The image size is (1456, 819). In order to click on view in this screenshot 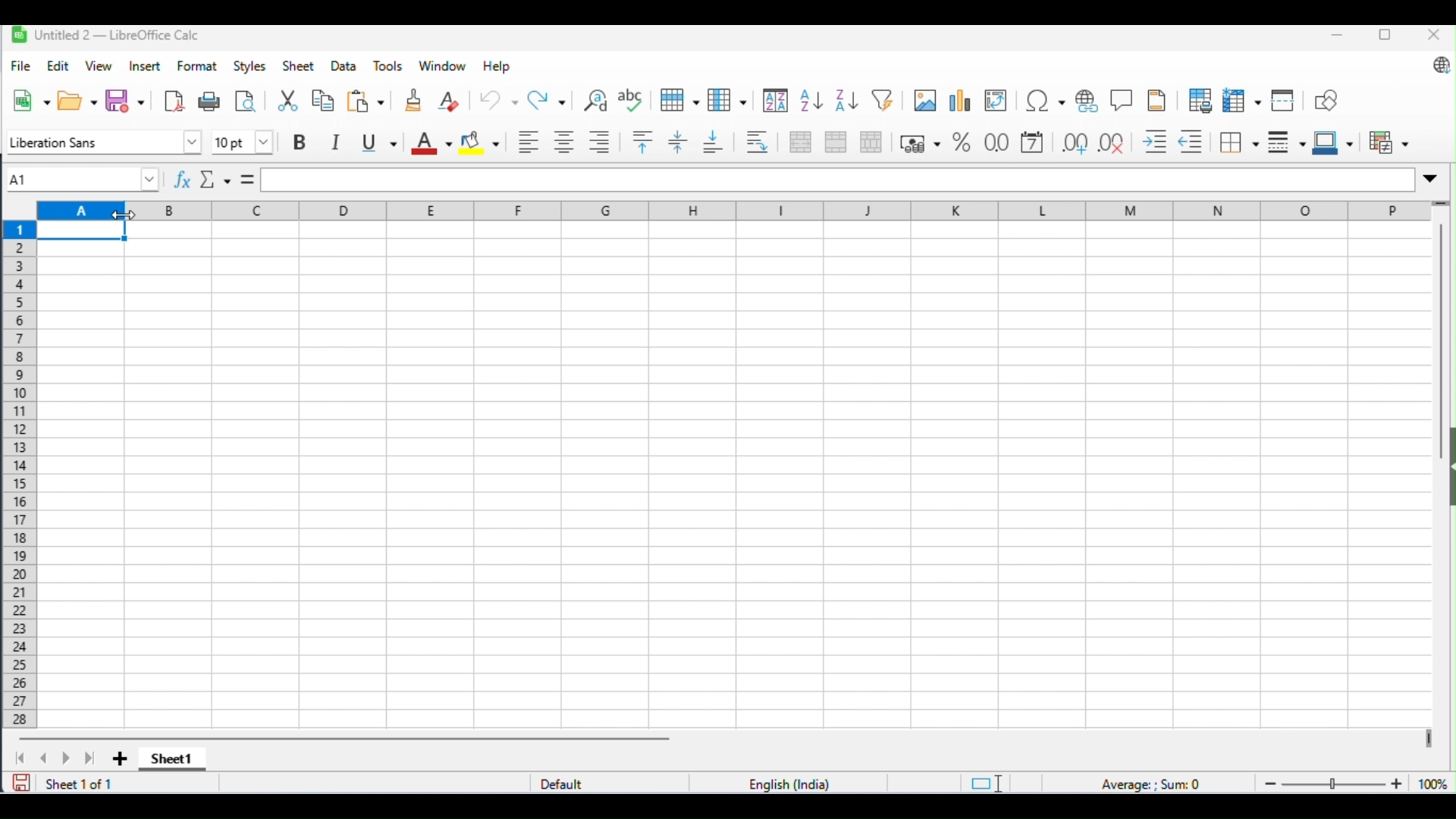, I will do `click(99, 65)`.